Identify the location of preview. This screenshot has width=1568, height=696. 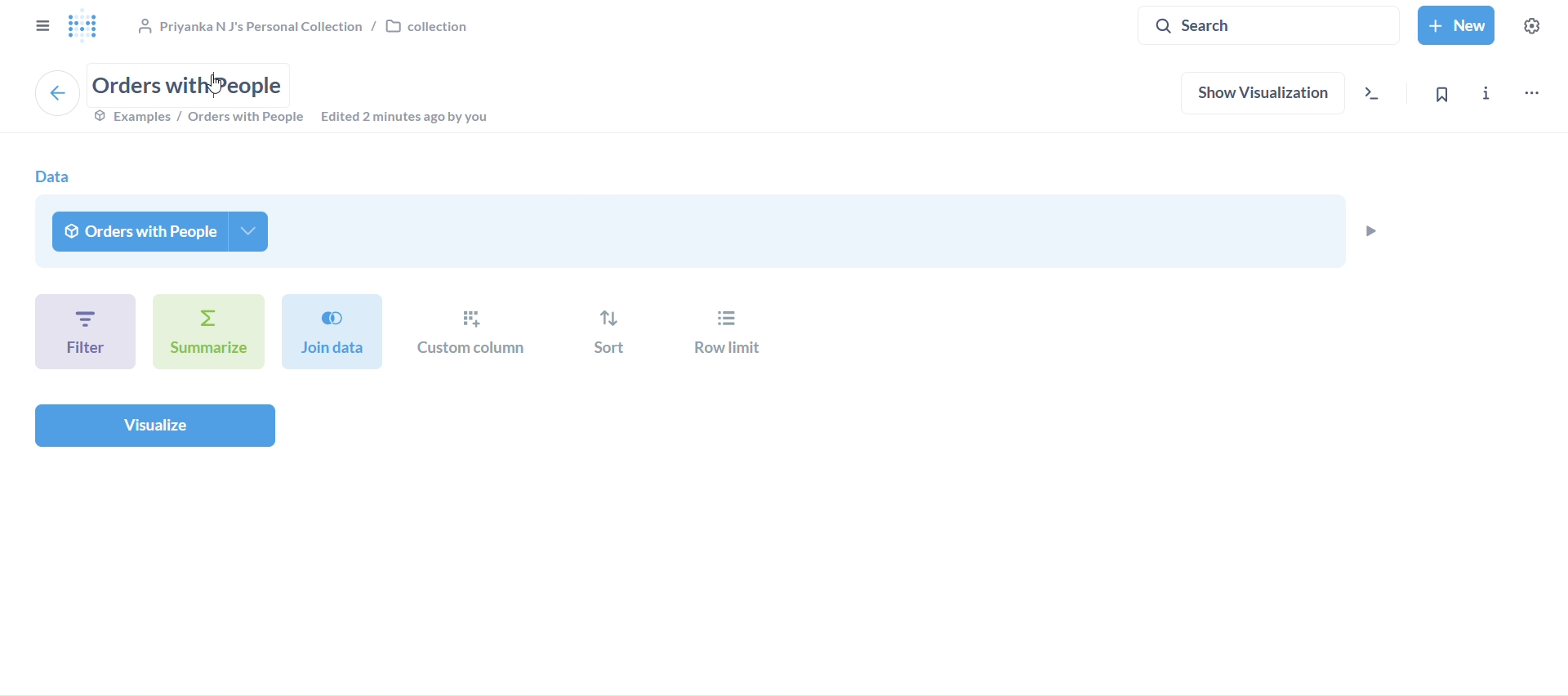
(1370, 230).